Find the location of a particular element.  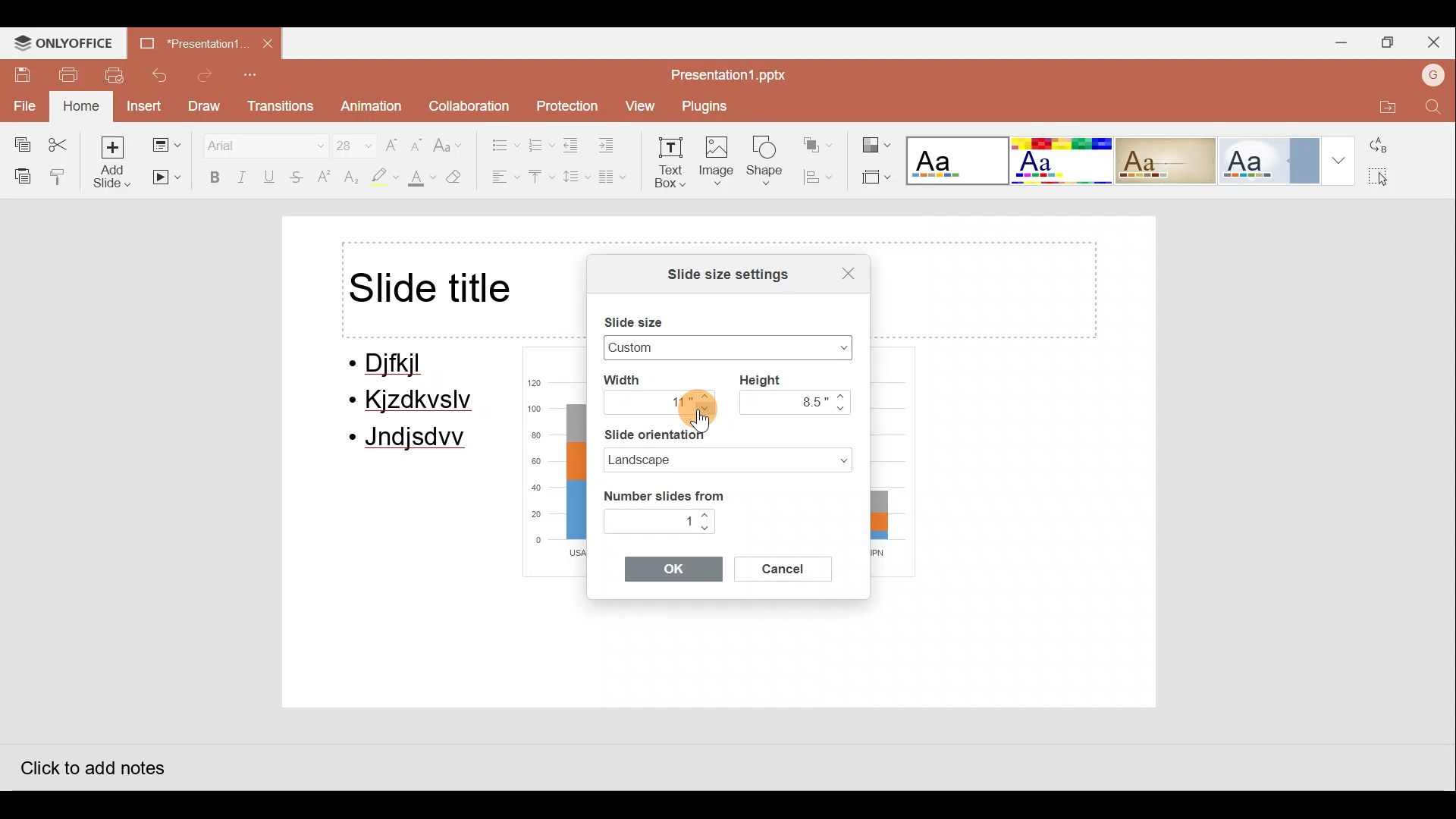

Theme 2 is located at coordinates (1065, 161).